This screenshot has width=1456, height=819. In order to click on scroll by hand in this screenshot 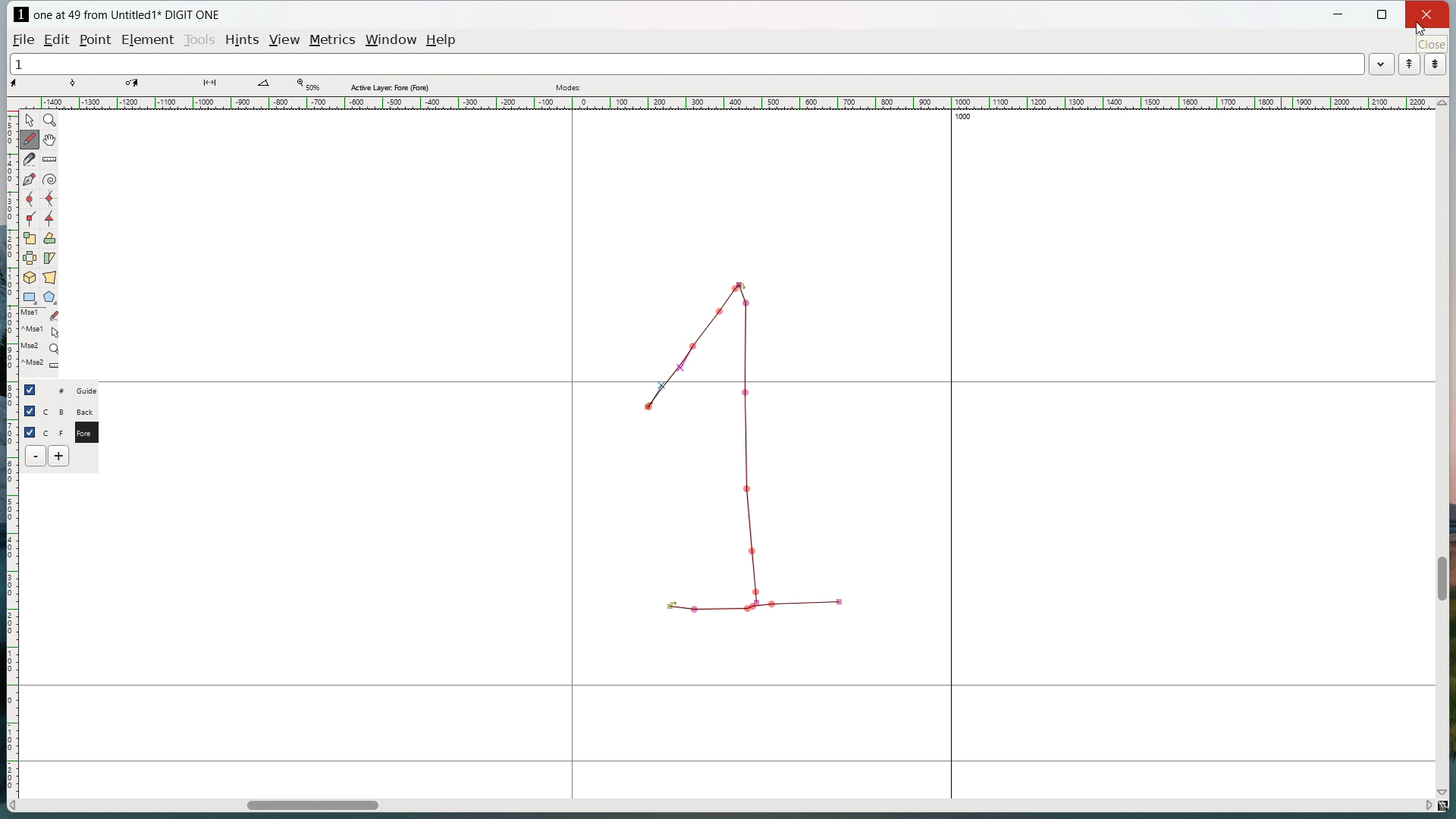, I will do `click(52, 139)`.